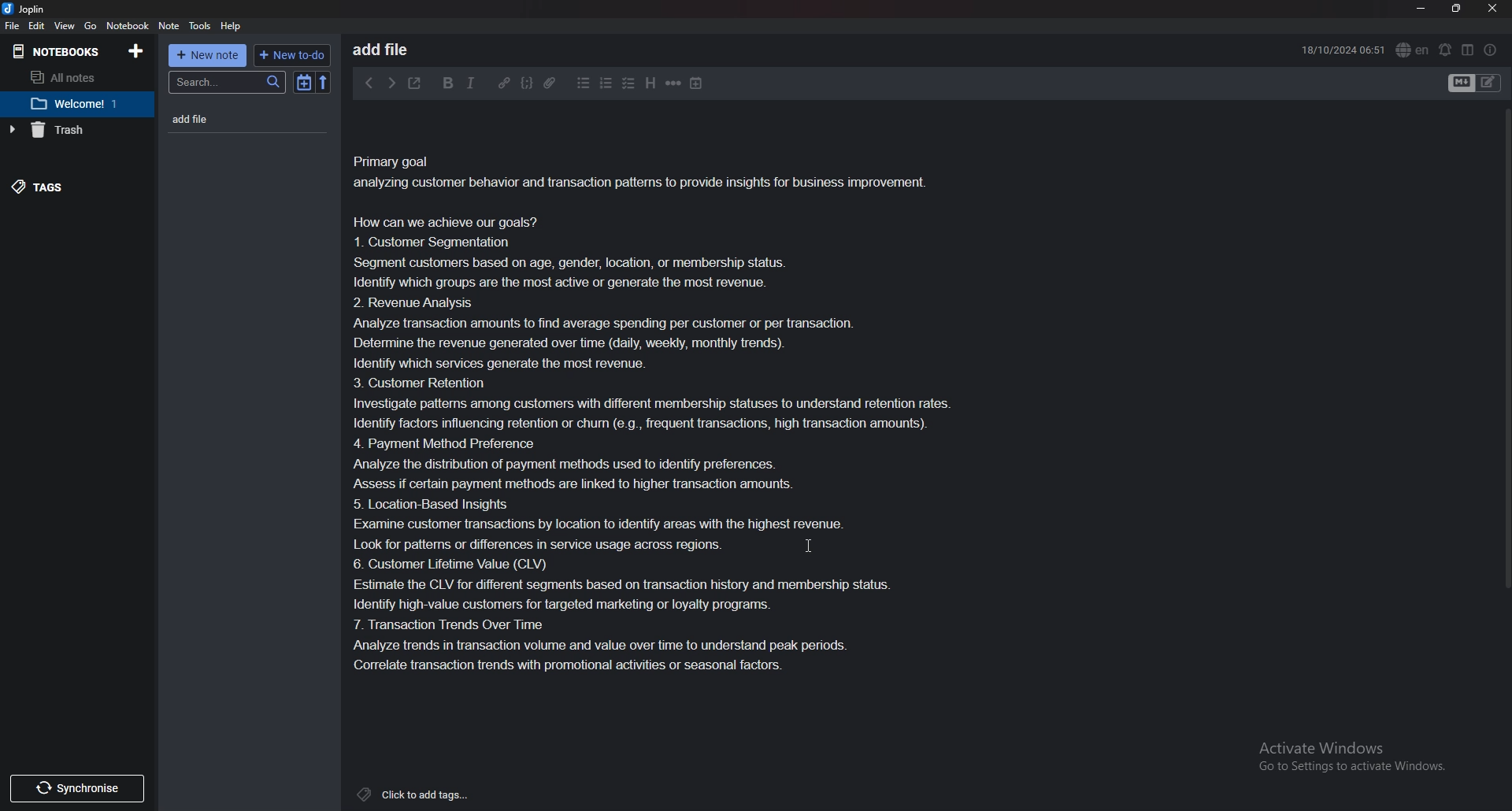  What do you see at coordinates (663, 413) in the screenshot?
I see `text` at bounding box center [663, 413].